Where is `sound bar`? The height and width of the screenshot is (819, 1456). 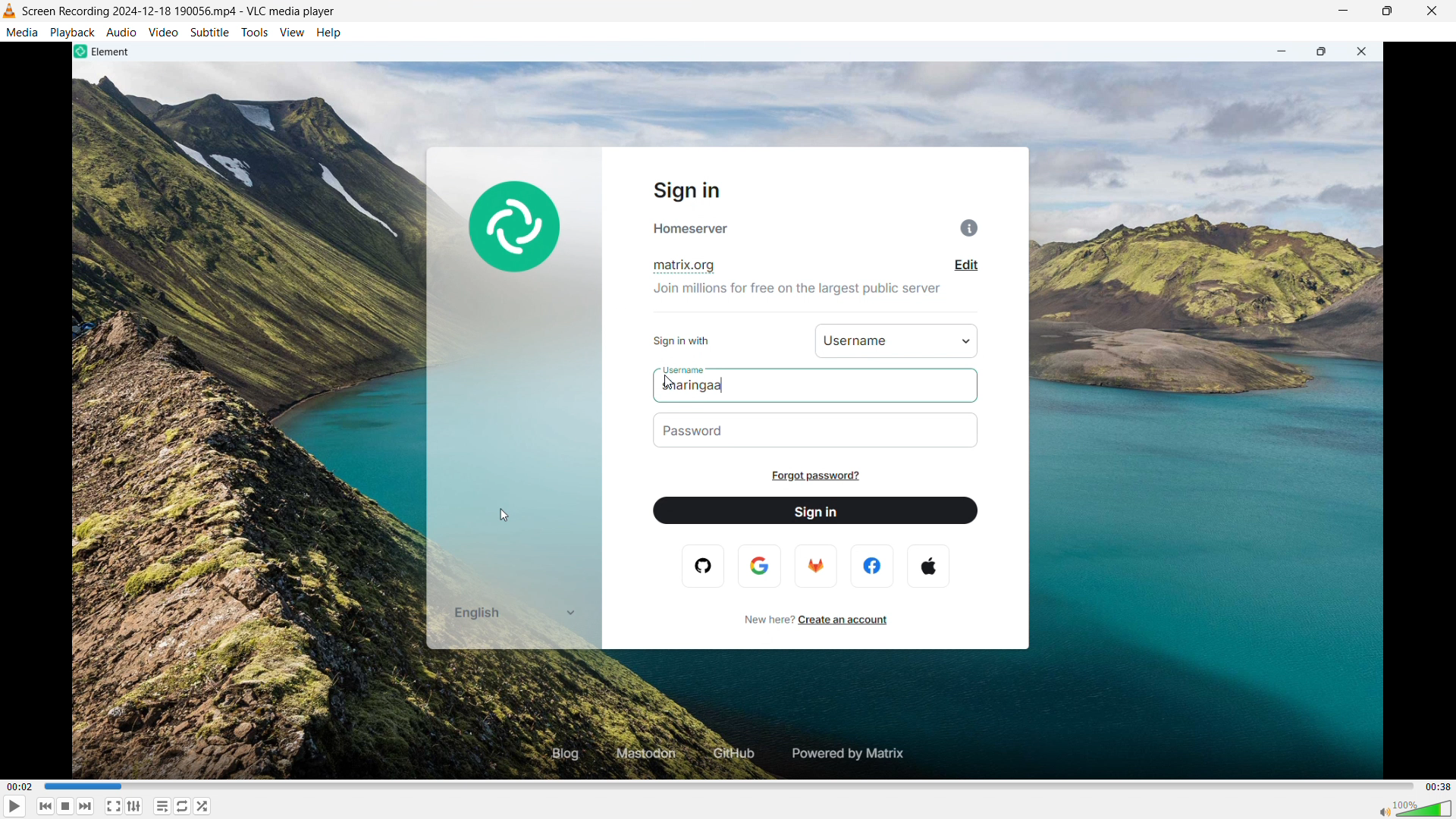
sound bar is located at coordinates (1414, 809).